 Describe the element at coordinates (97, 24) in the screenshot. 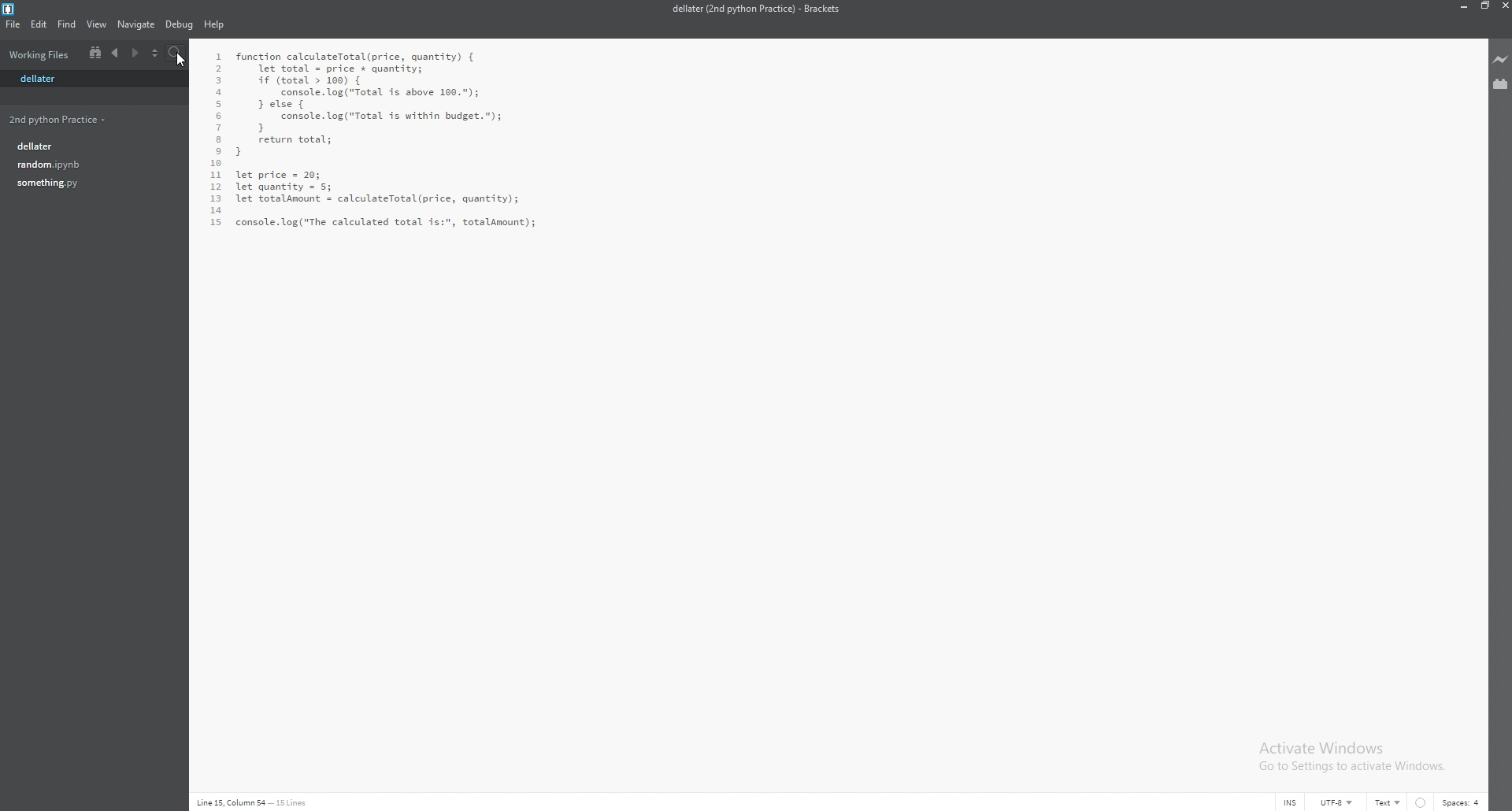

I see `view` at that location.